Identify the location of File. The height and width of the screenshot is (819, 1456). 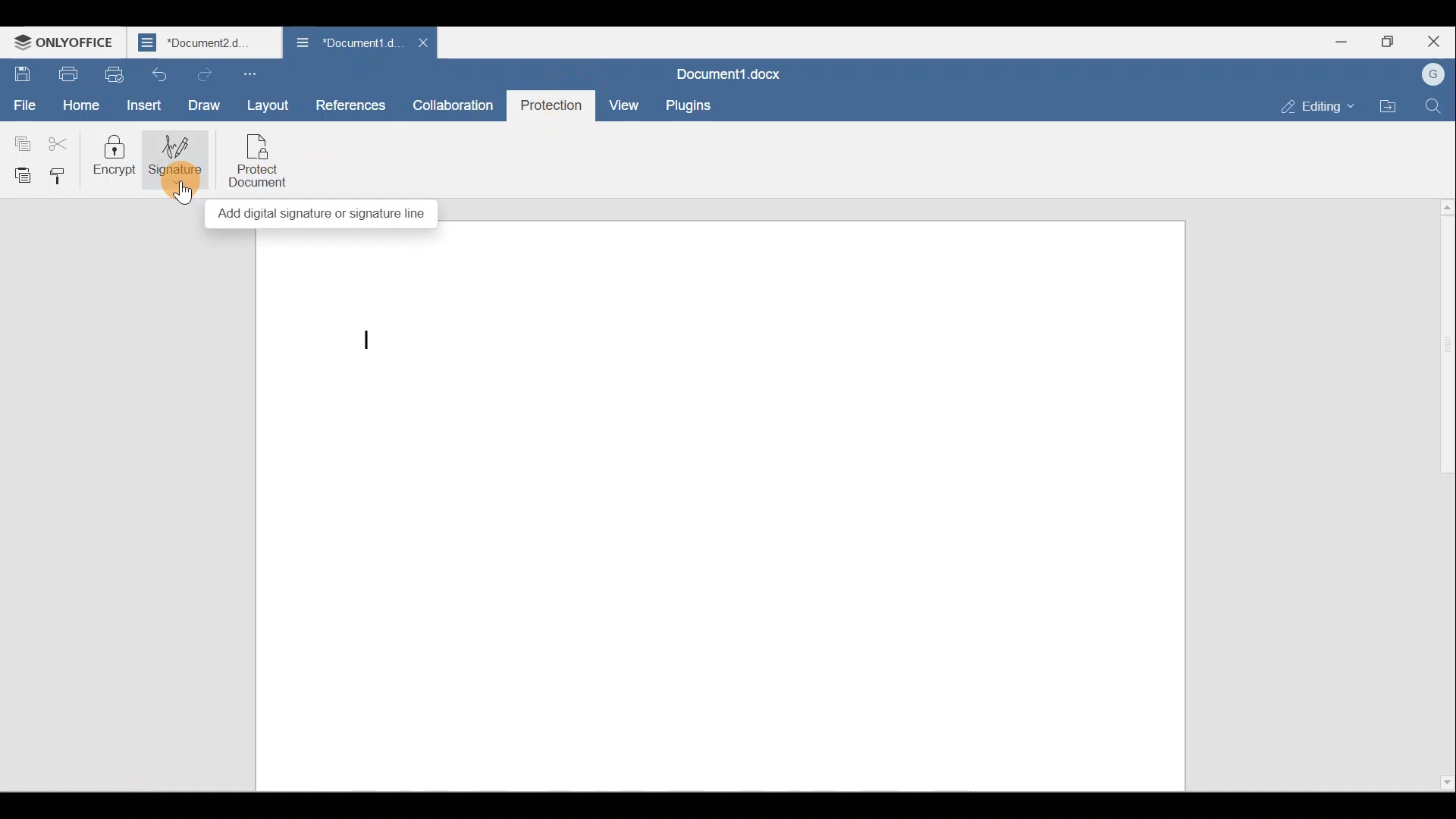
(23, 106).